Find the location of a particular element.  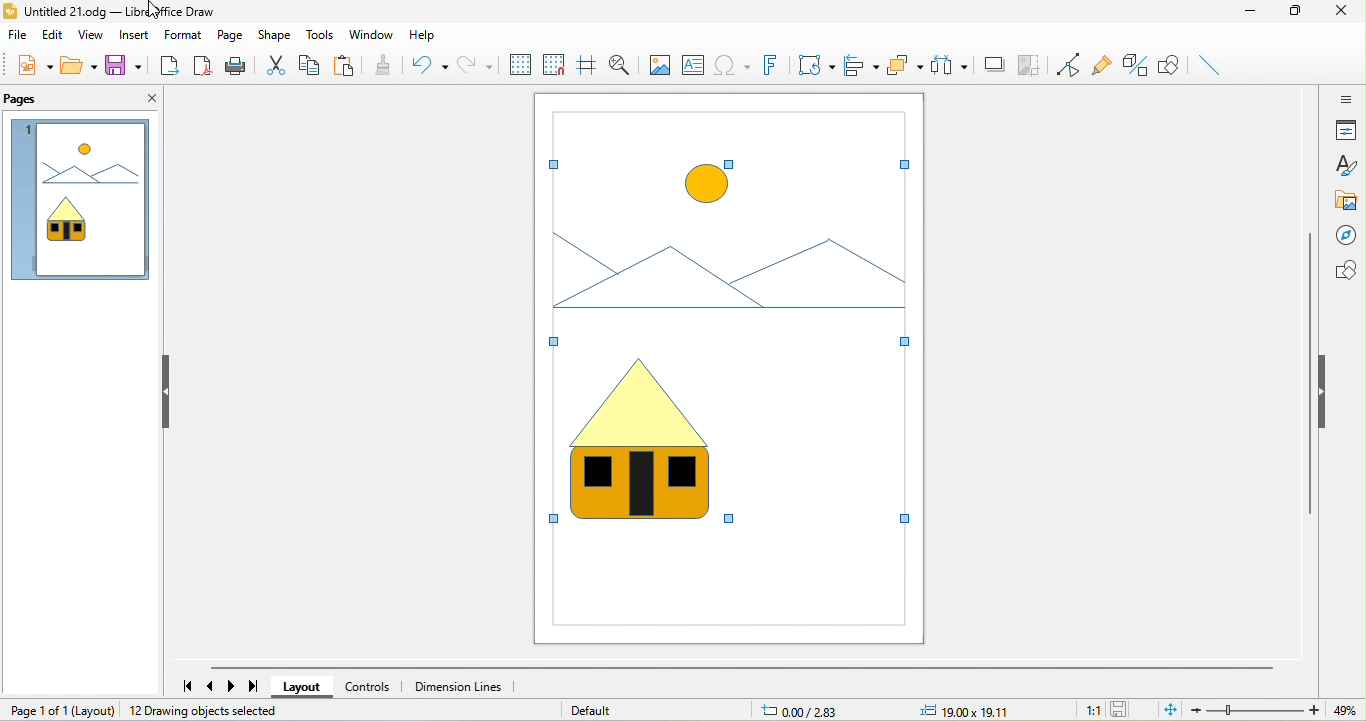

redo is located at coordinates (487, 65).